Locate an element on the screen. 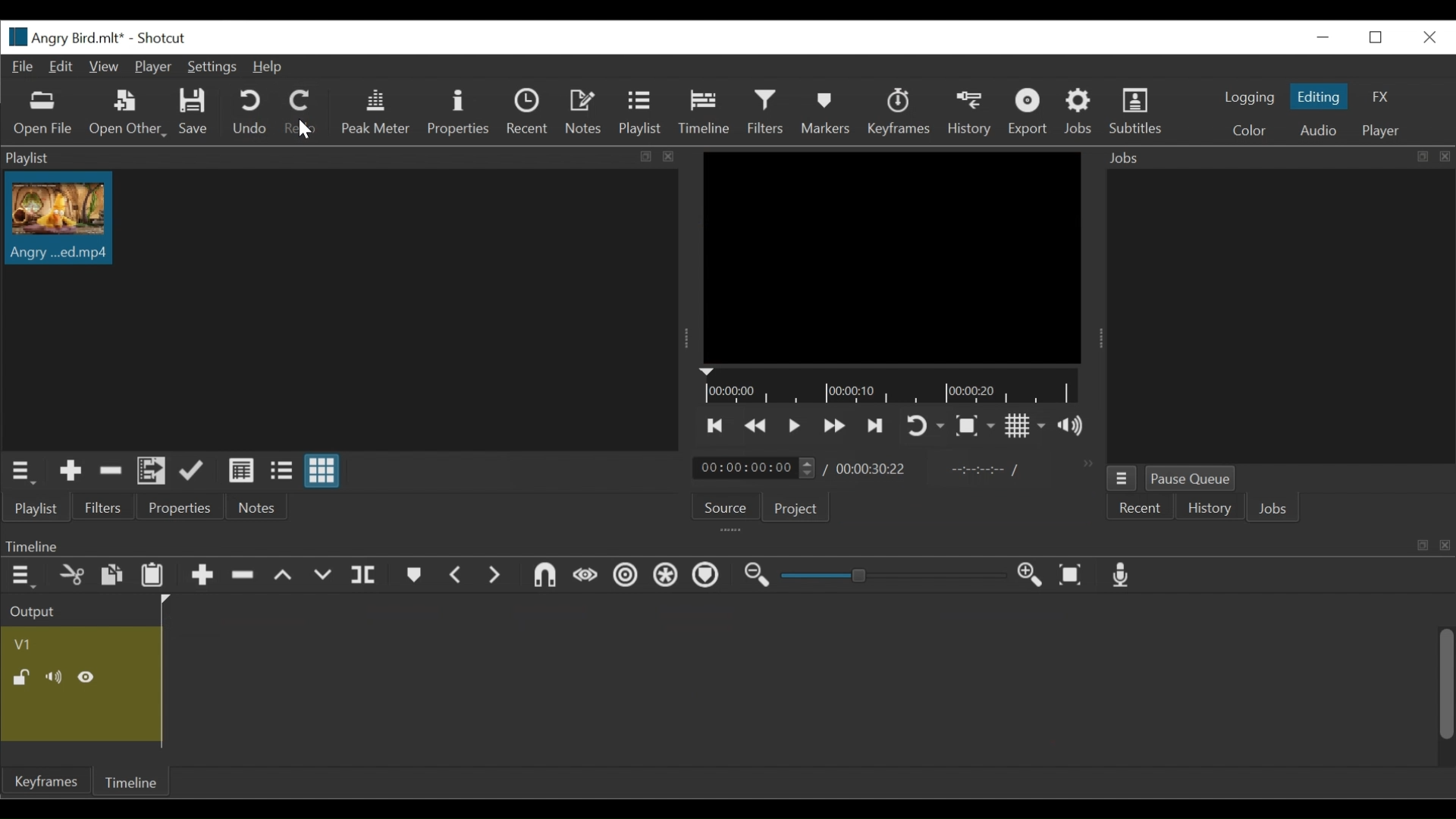 Image resolution: width=1456 pixels, height=819 pixels. Playlist menu is located at coordinates (20, 472).